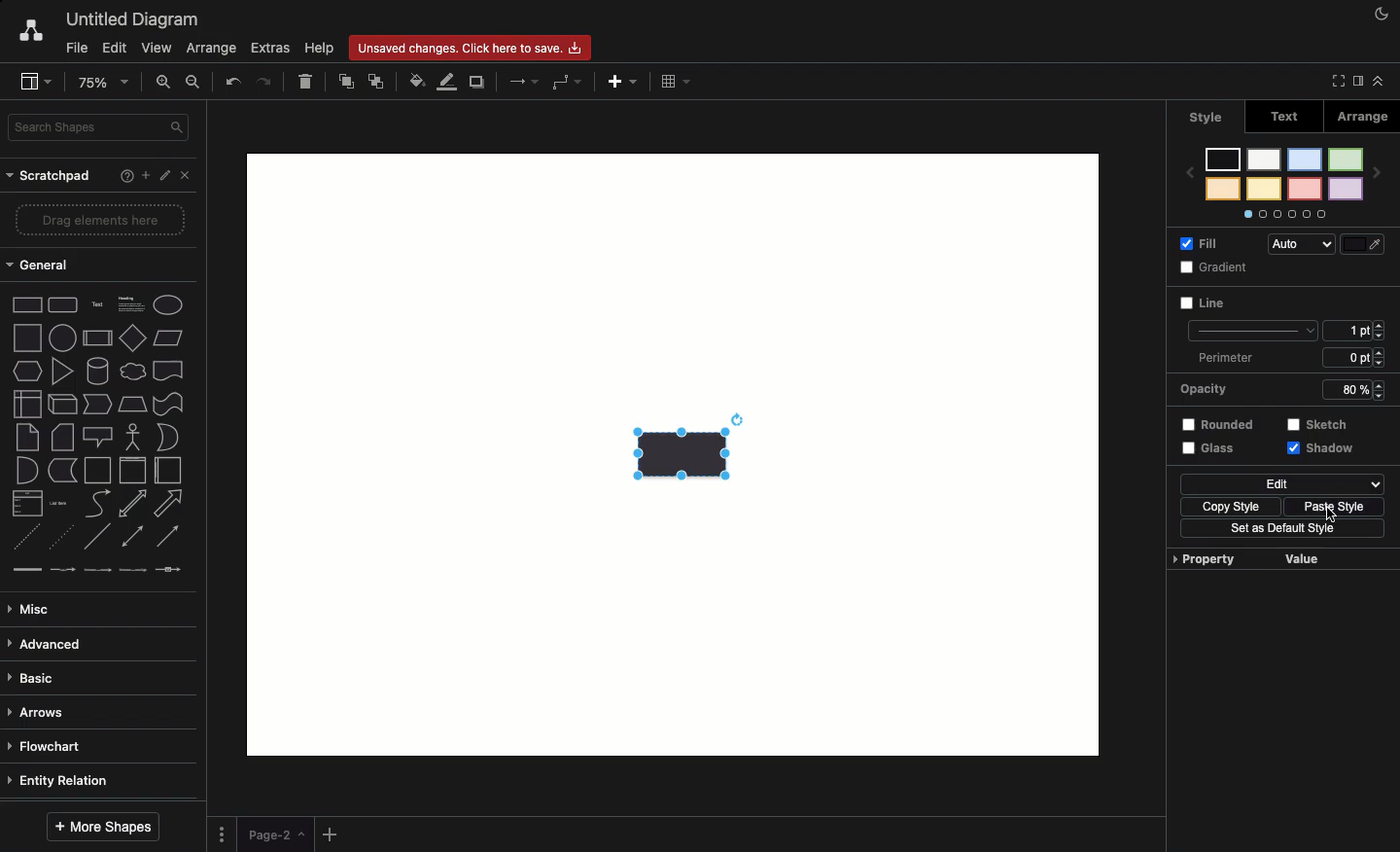  Describe the element at coordinates (99, 436) in the screenshot. I see `callout` at that location.